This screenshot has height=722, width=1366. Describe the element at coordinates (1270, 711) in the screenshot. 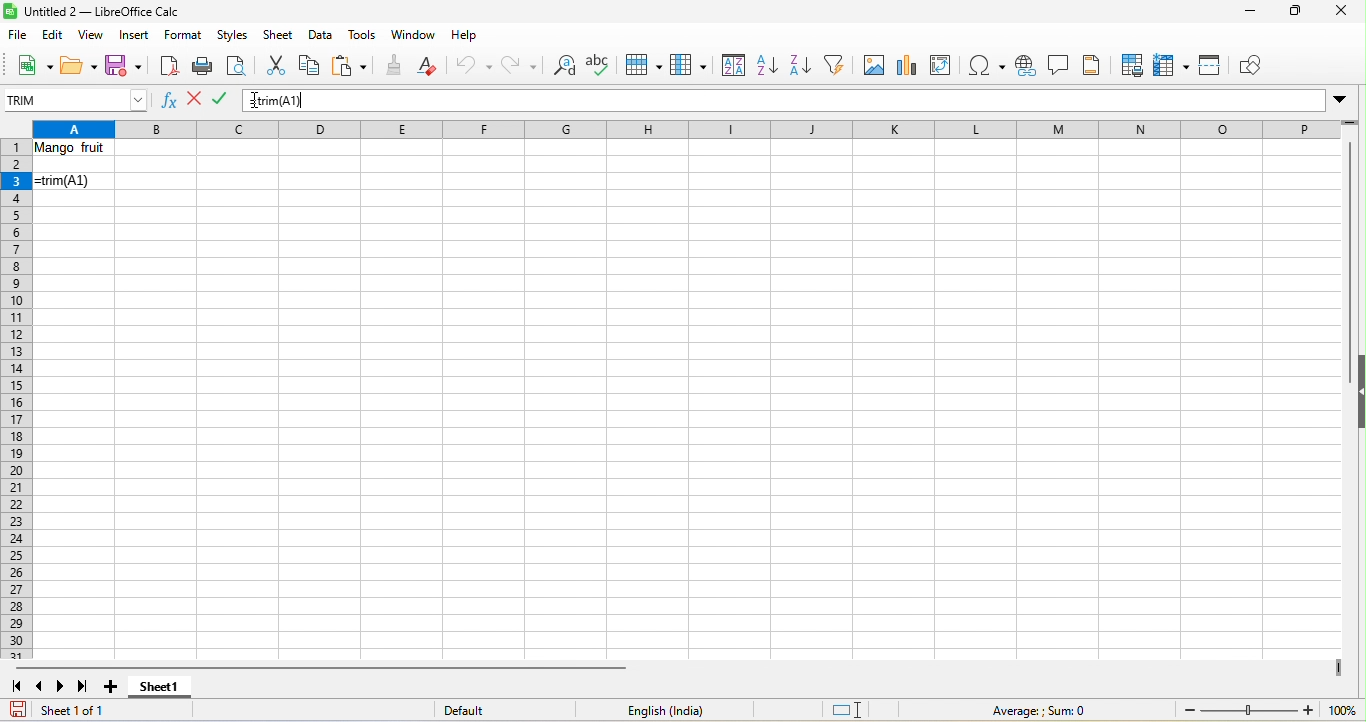

I see `zoom` at that location.